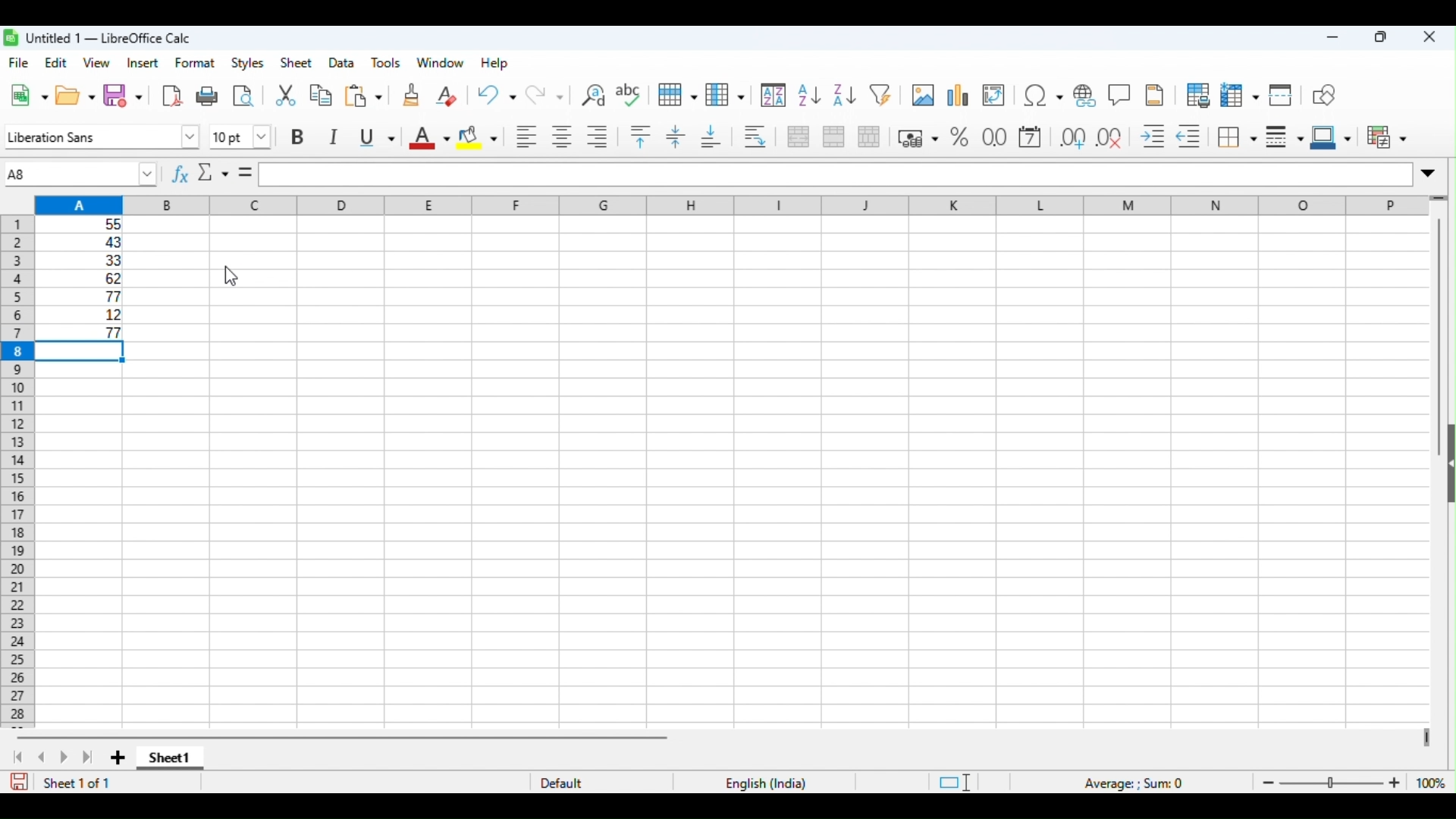 The image size is (1456, 819). Describe the element at coordinates (345, 737) in the screenshot. I see `horizontal scroll bar` at that location.